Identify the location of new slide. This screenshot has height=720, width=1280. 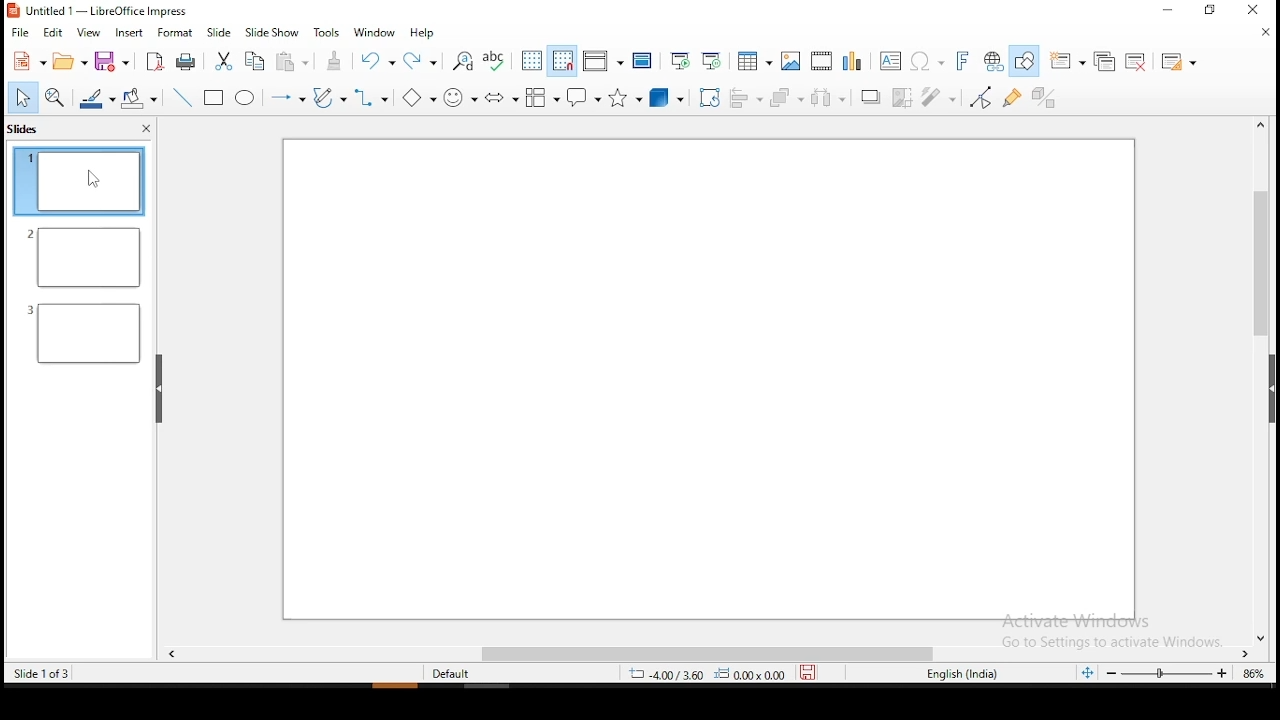
(1065, 60).